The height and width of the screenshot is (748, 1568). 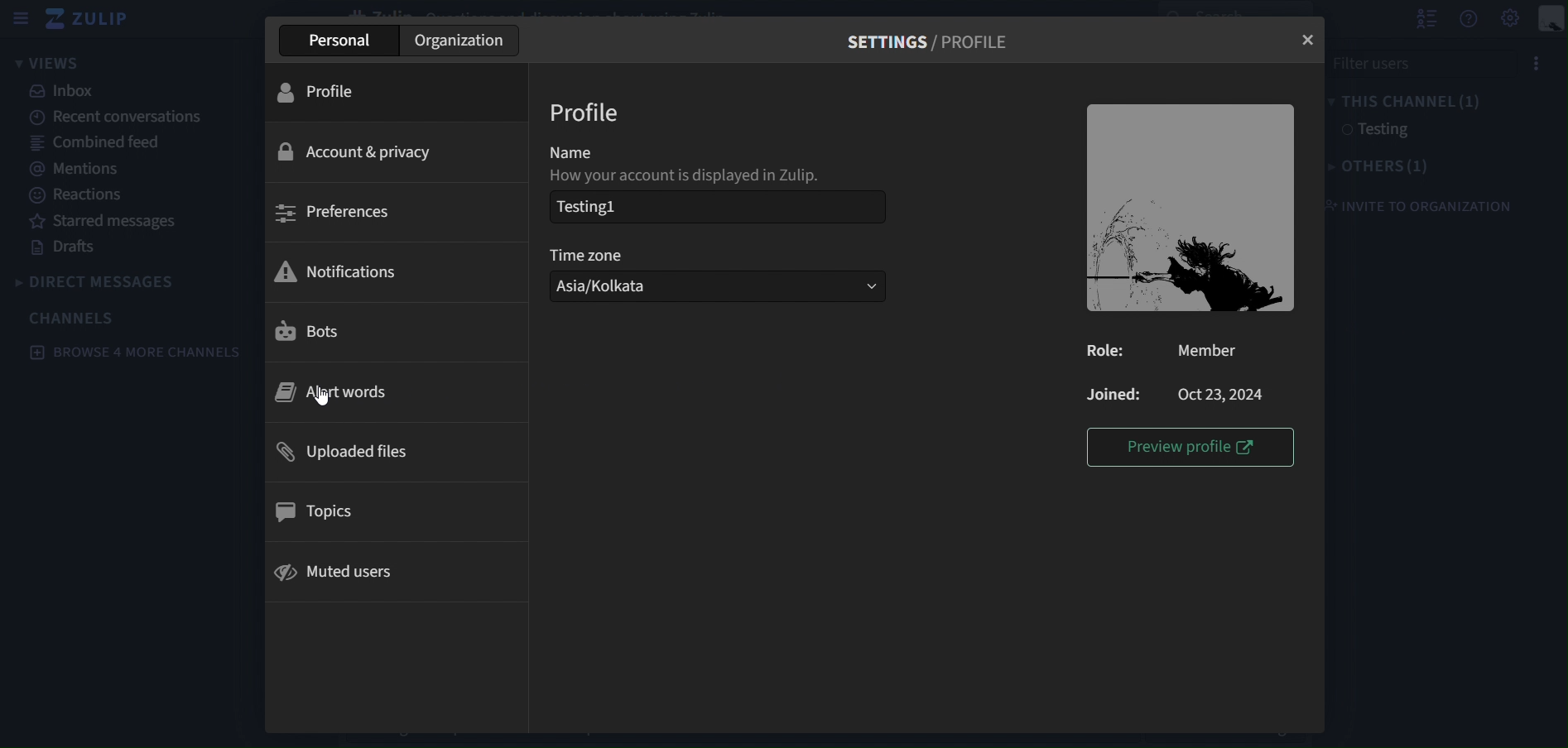 What do you see at coordinates (95, 20) in the screenshot?
I see `zulip` at bounding box center [95, 20].